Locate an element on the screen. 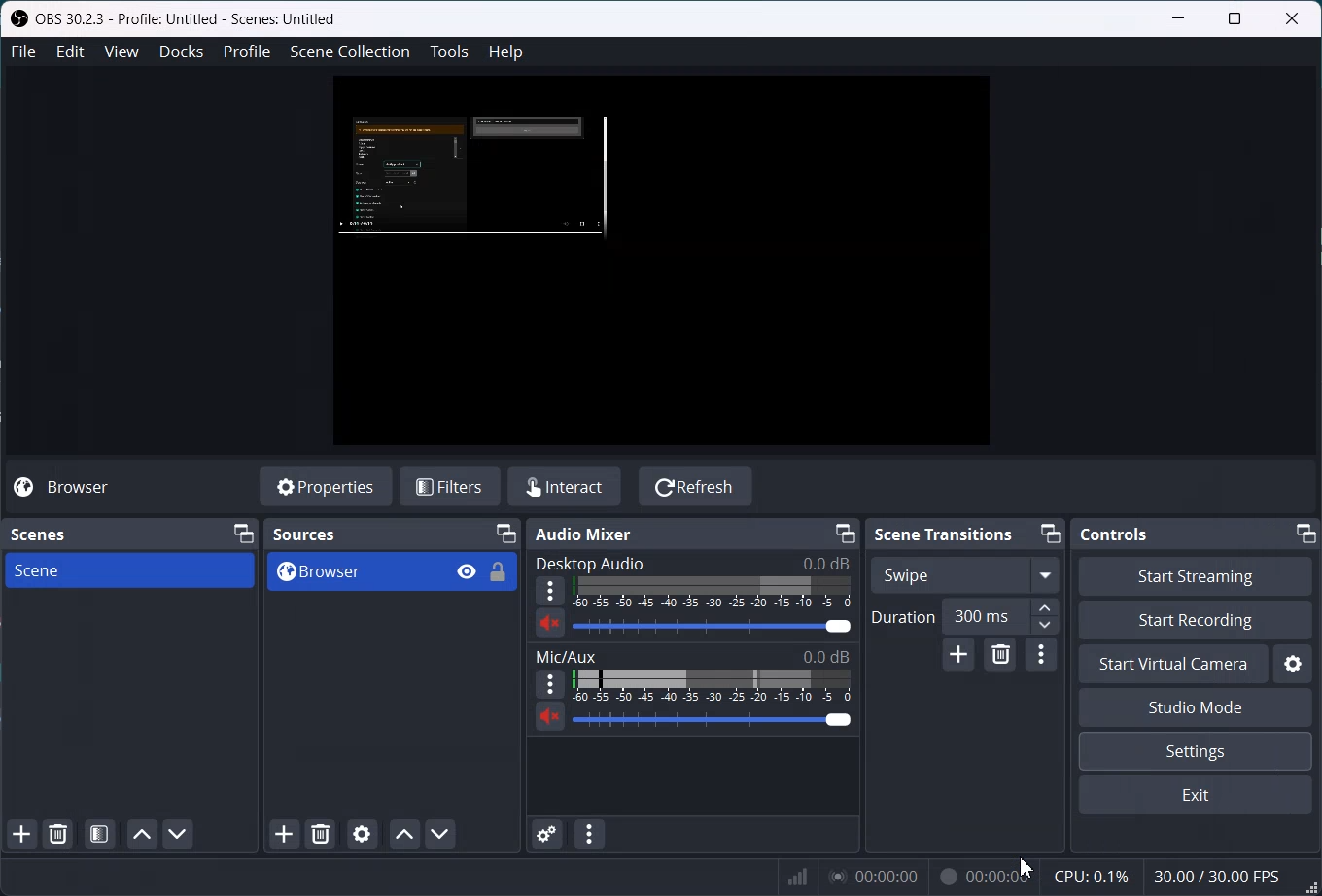  00:00:00 is located at coordinates (873, 874).